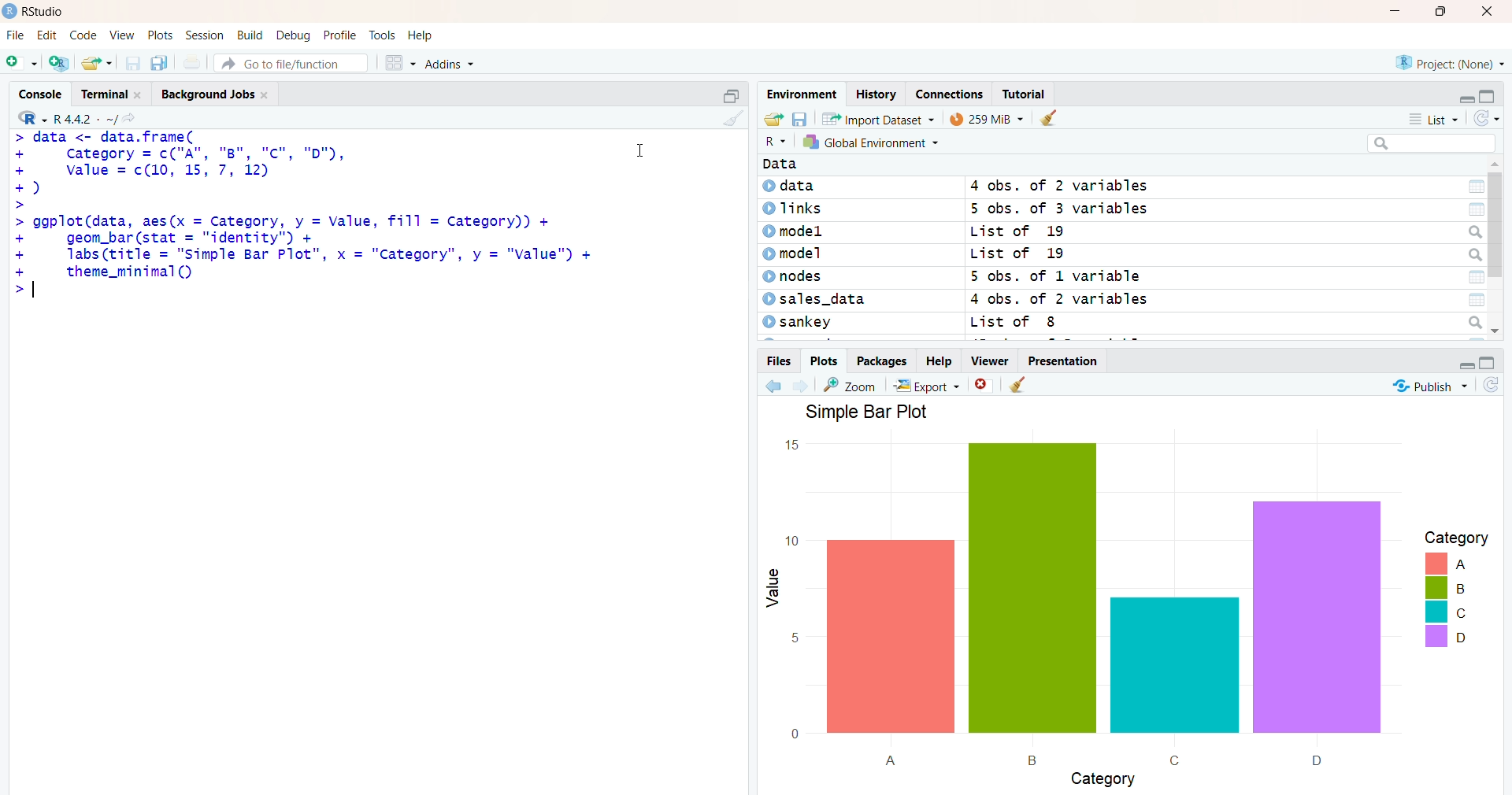 The image size is (1512, 795). What do you see at coordinates (339, 36) in the screenshot?
I see `profile` at bounding box center [339, 36].